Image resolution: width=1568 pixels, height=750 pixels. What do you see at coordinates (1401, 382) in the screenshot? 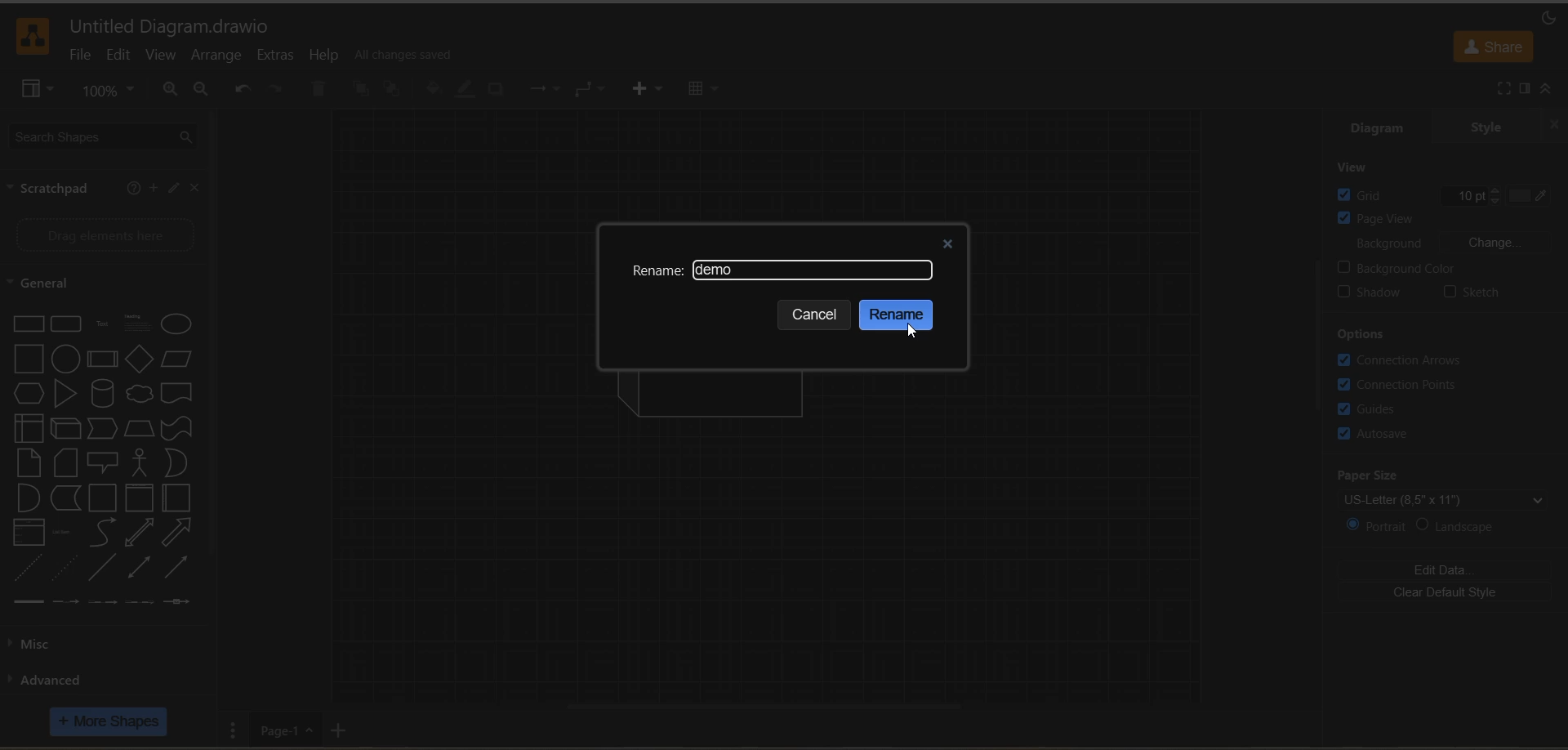
I see `connection points` at bounding box center [1401, 382].